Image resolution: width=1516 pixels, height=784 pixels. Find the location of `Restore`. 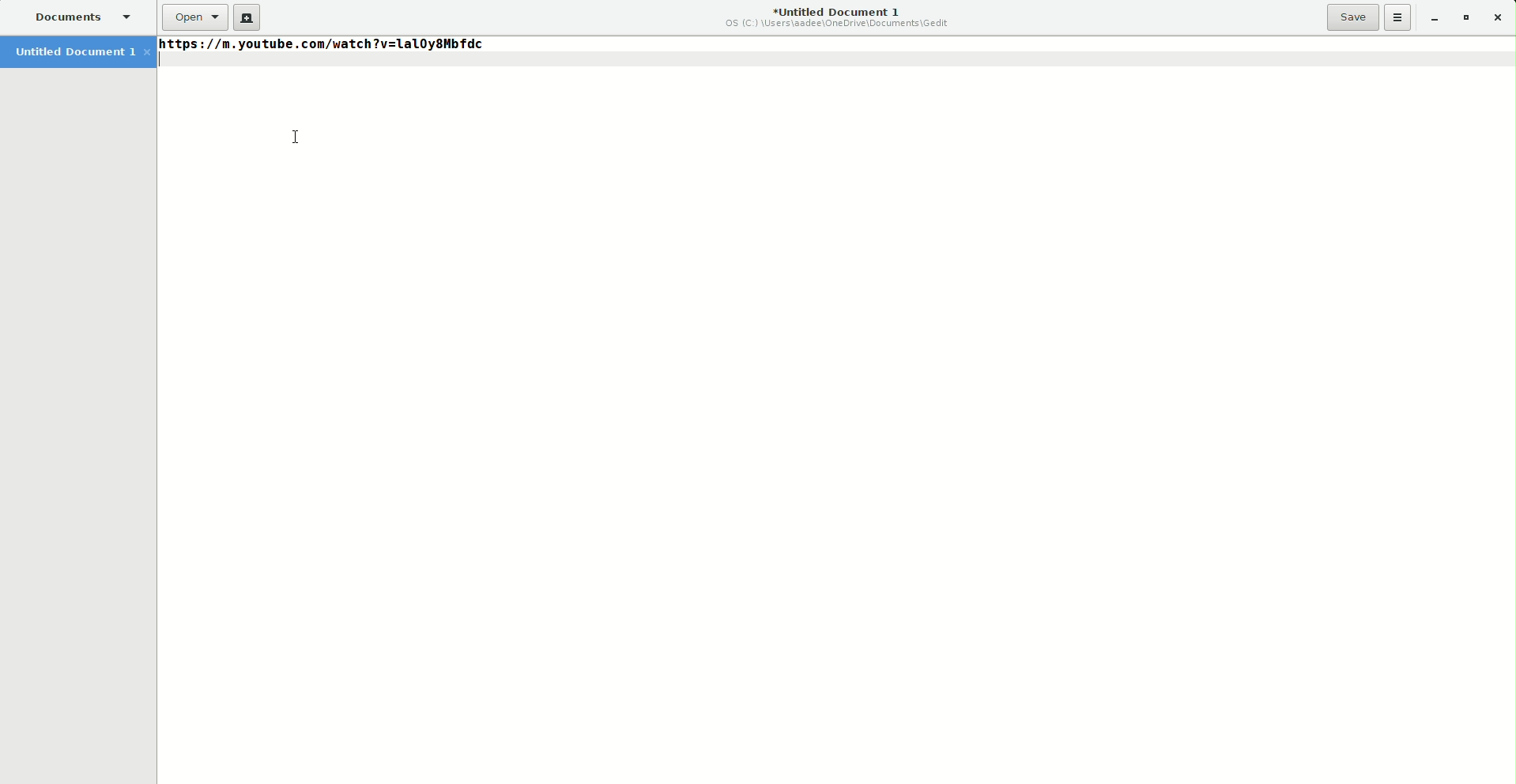

Restore is located at coordinates (1463, 17).